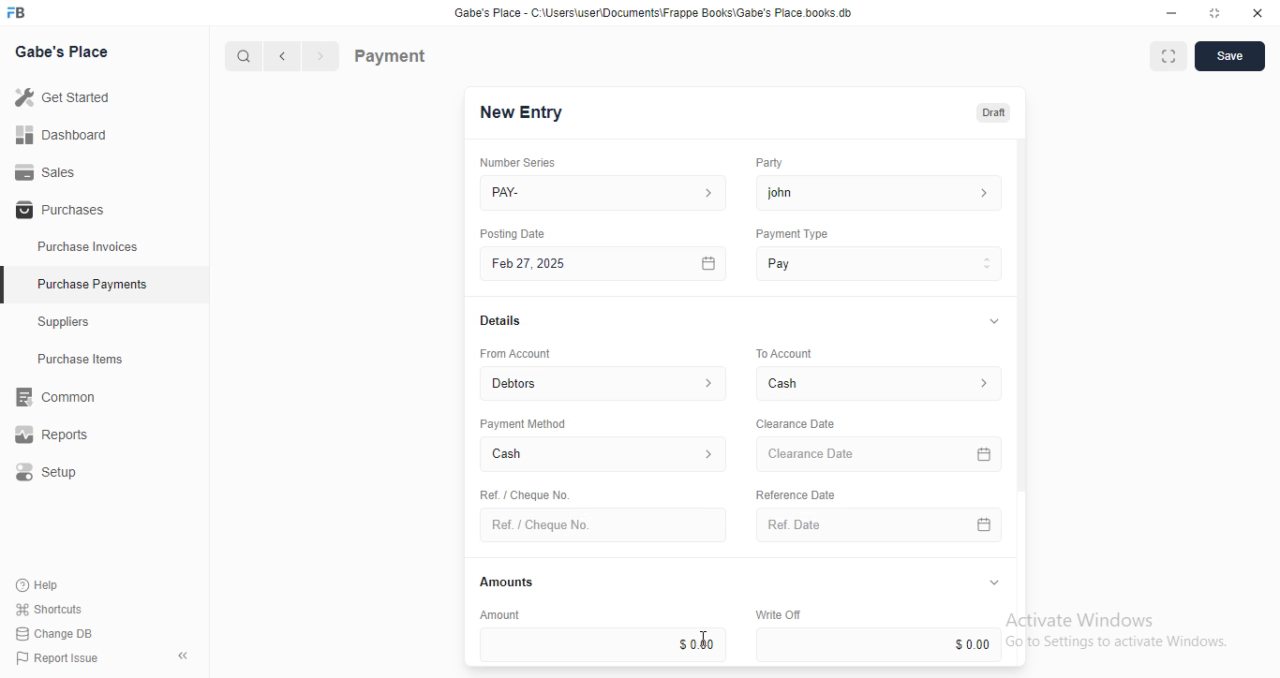  What do you see at coordinates (605, 382) in the screenshot?
I see `Debtors` at bounding box center [605, 382].